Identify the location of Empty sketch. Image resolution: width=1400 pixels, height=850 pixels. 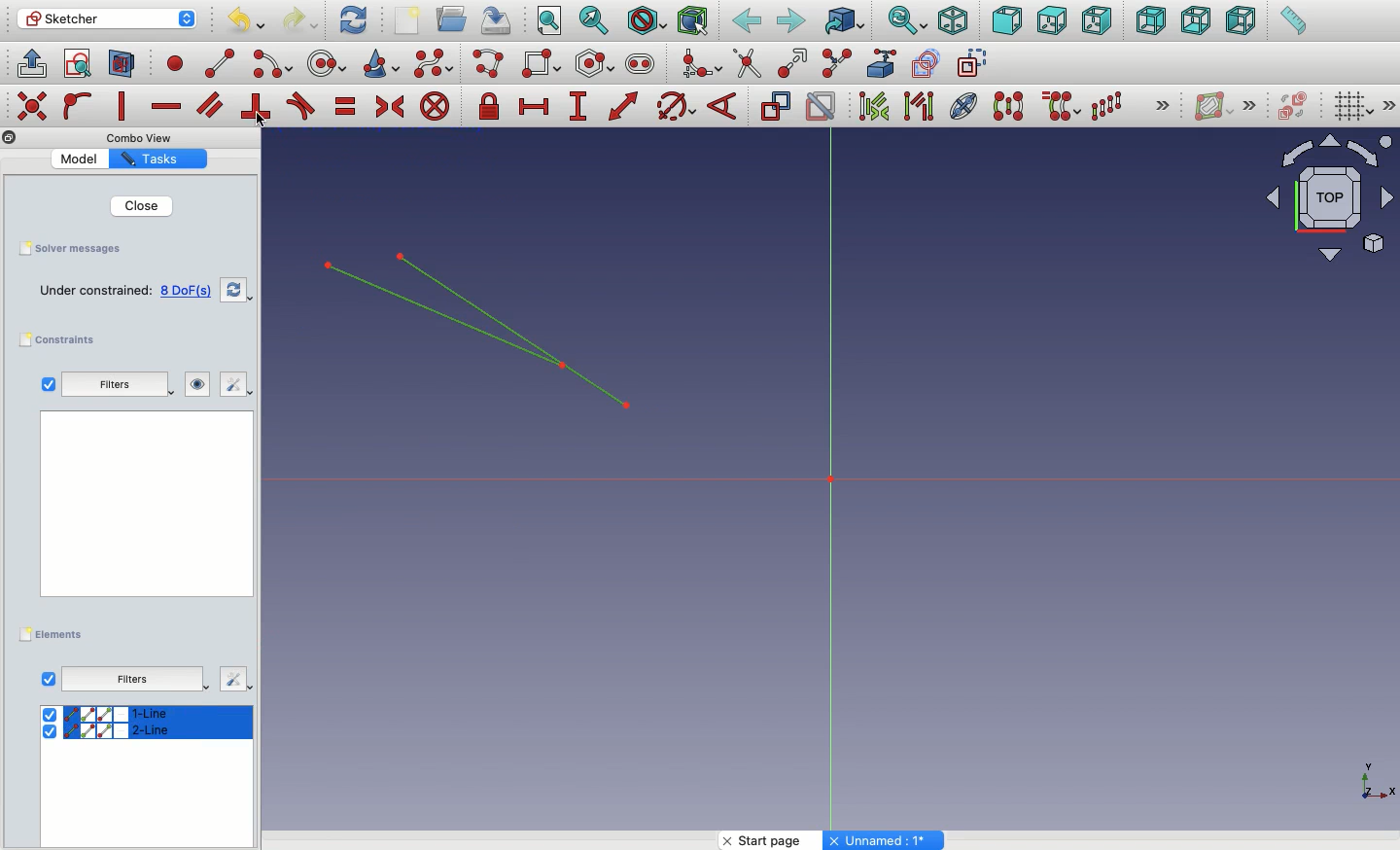
(123, 290).